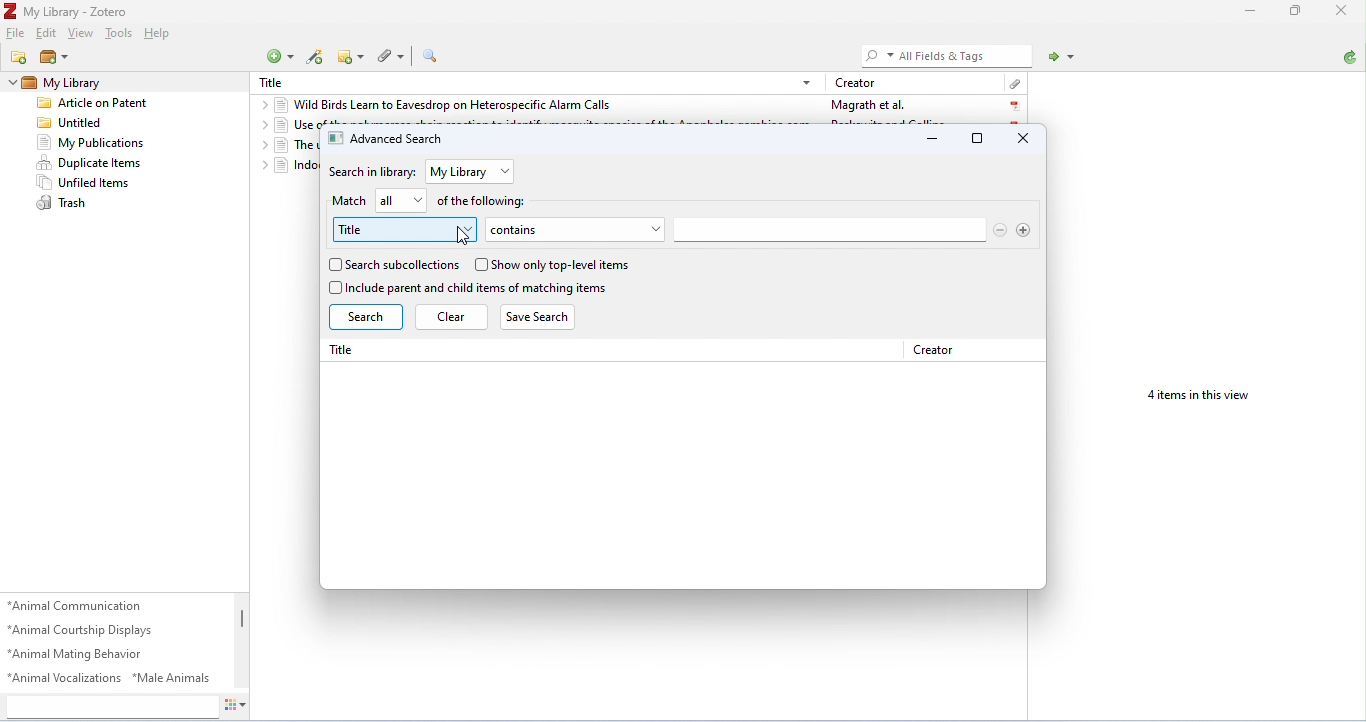 This screenshot has width=1366, height=722. I want to click on new note, so click(351, 56).